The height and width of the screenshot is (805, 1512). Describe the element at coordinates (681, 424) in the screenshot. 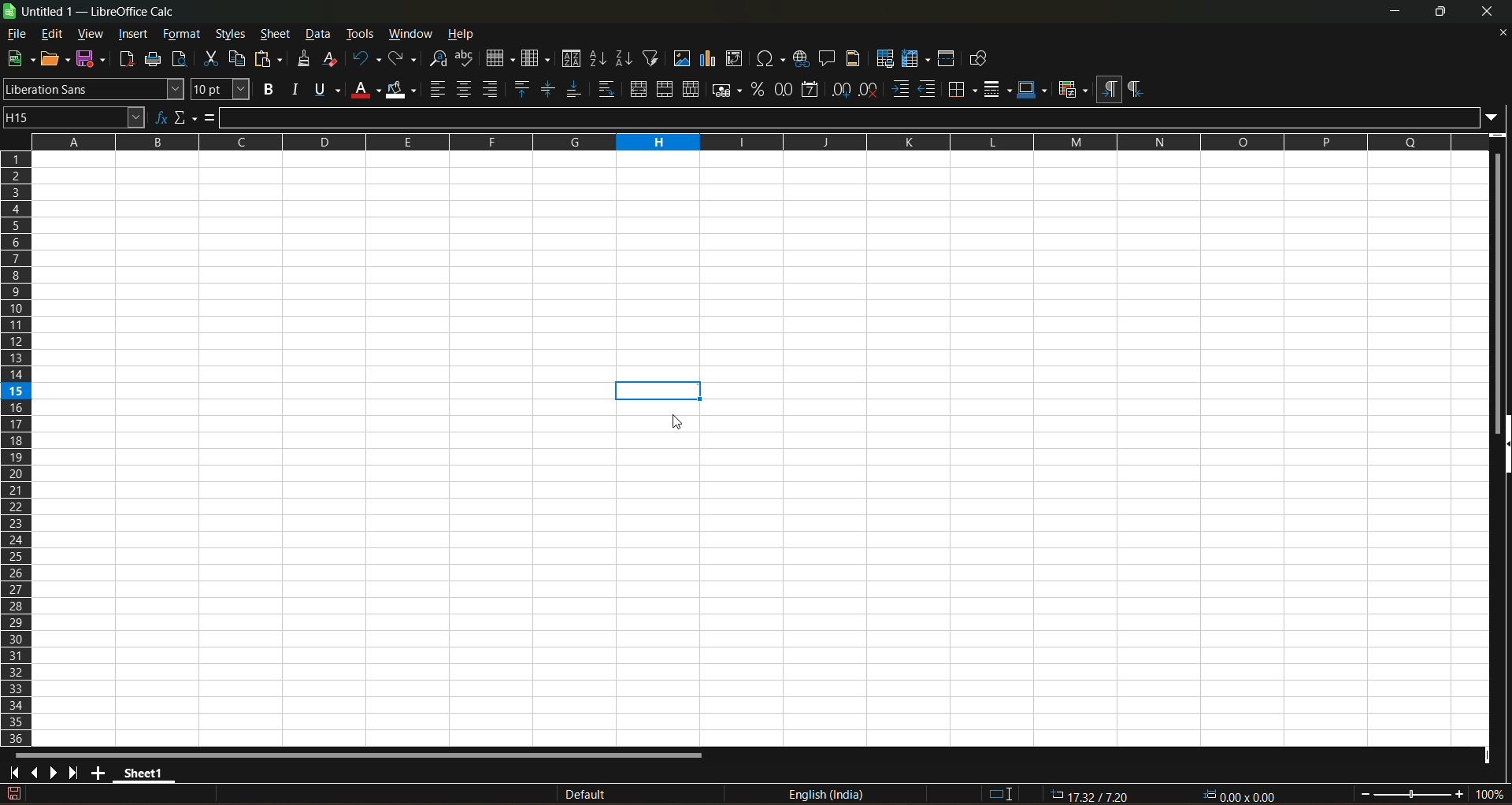

I see `cursor` at that location.